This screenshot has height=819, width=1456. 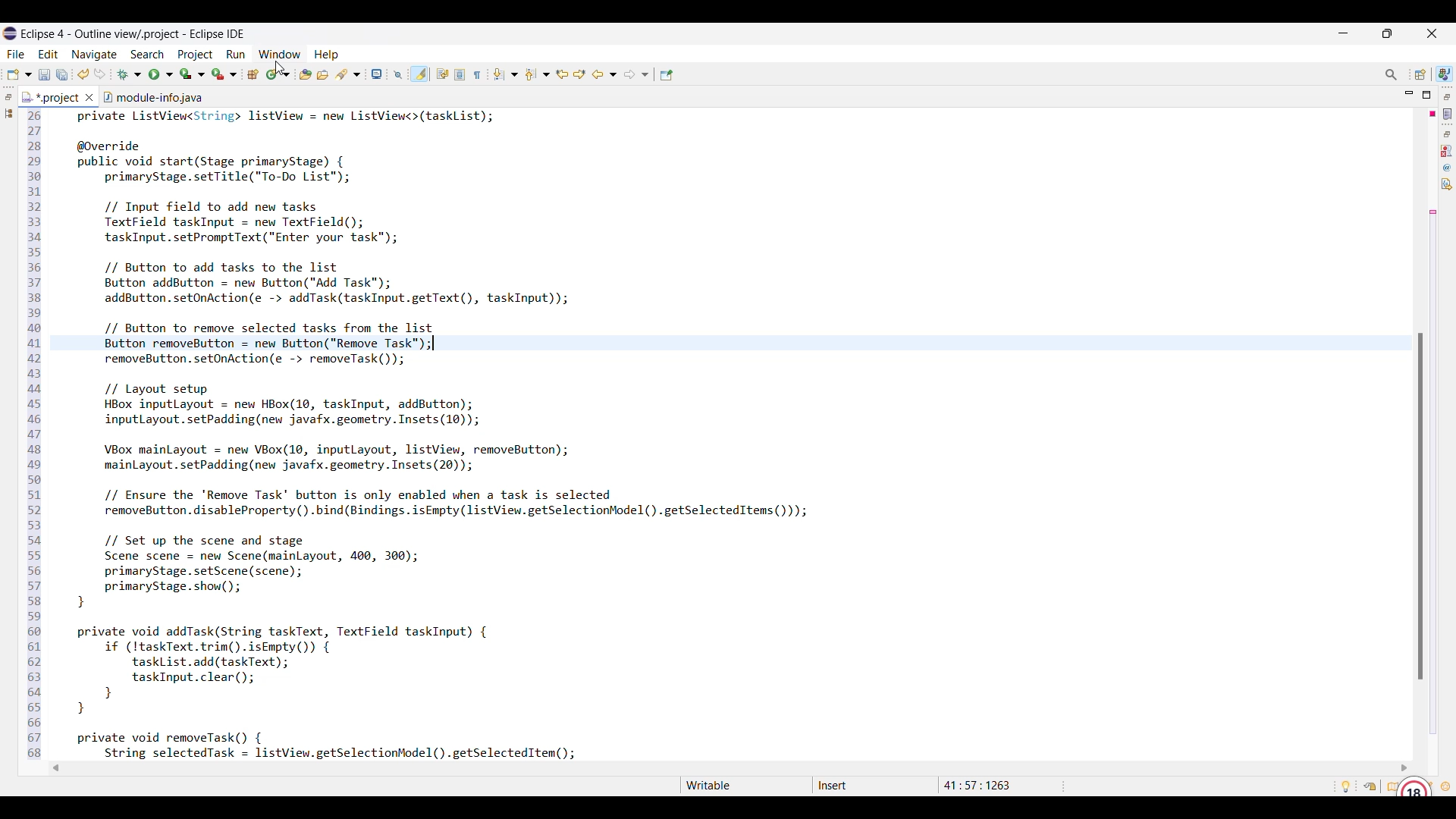 I want to click on Open a terminal, so click(x=377, y=74).